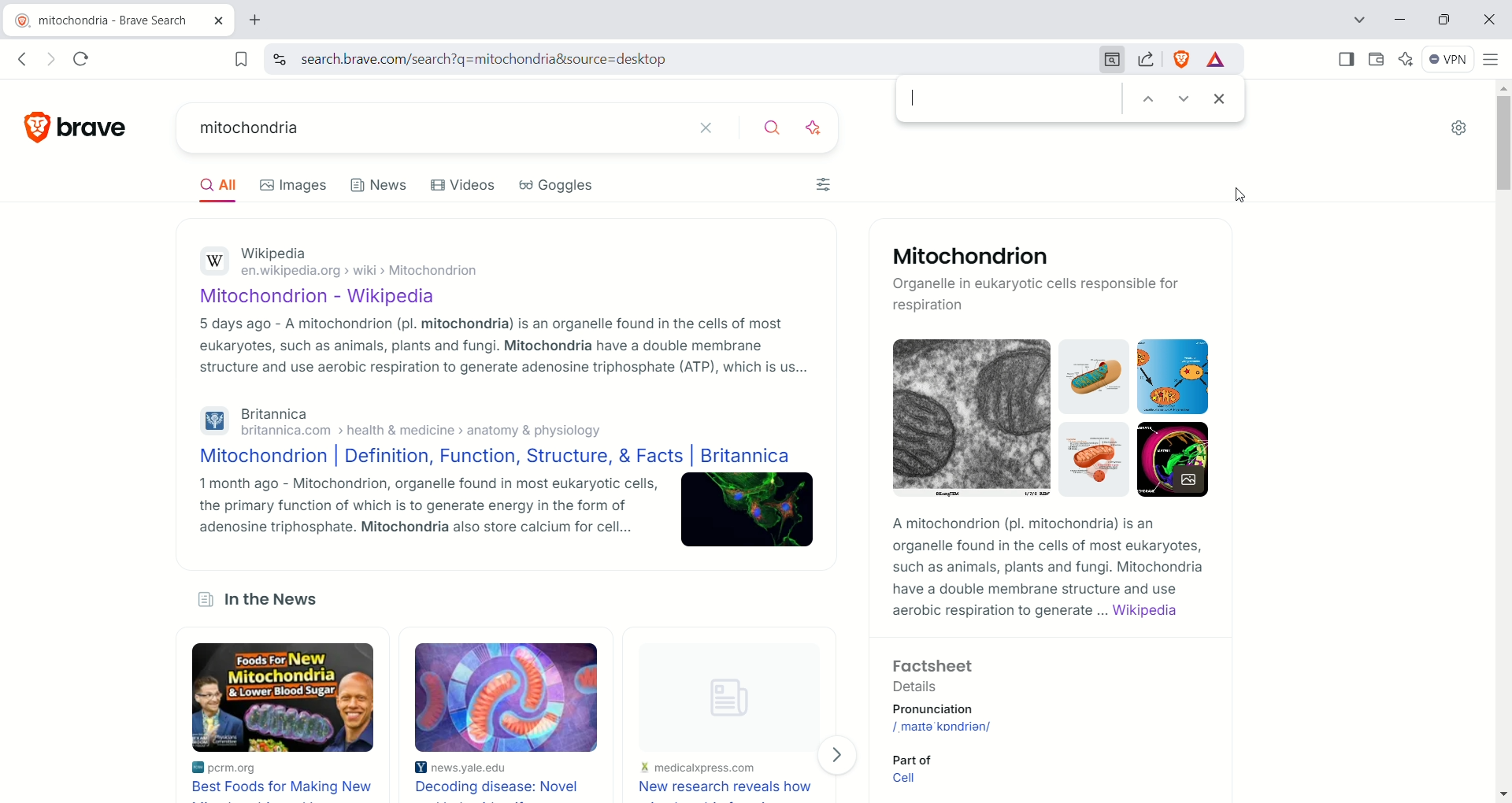  What do you see at coordinates (698, 770) in the screenshot?
I see `medicalpress.com` at bounding box center [698, 770].